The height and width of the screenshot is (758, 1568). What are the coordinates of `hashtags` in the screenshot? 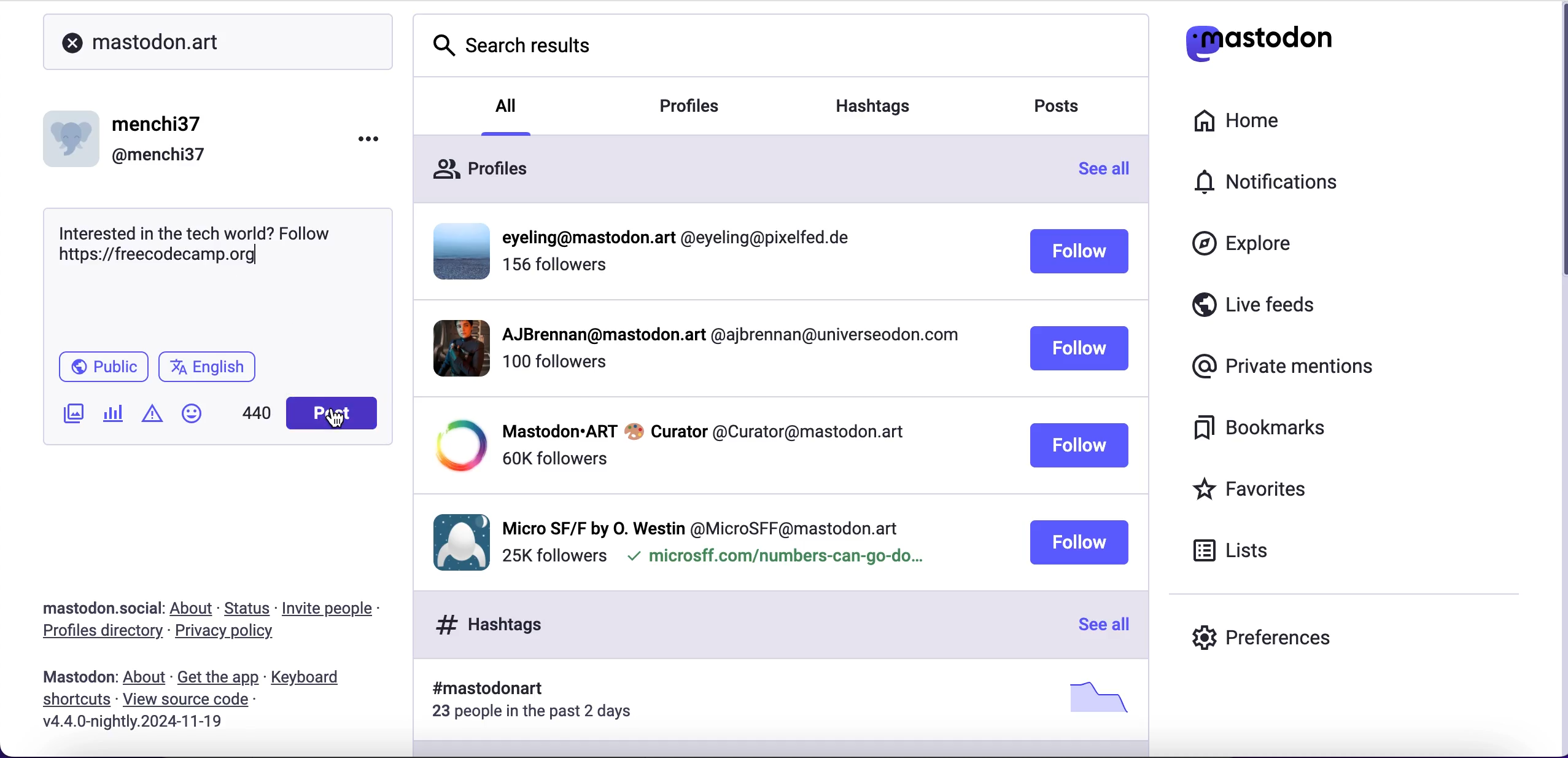 It's located at (873, 107).